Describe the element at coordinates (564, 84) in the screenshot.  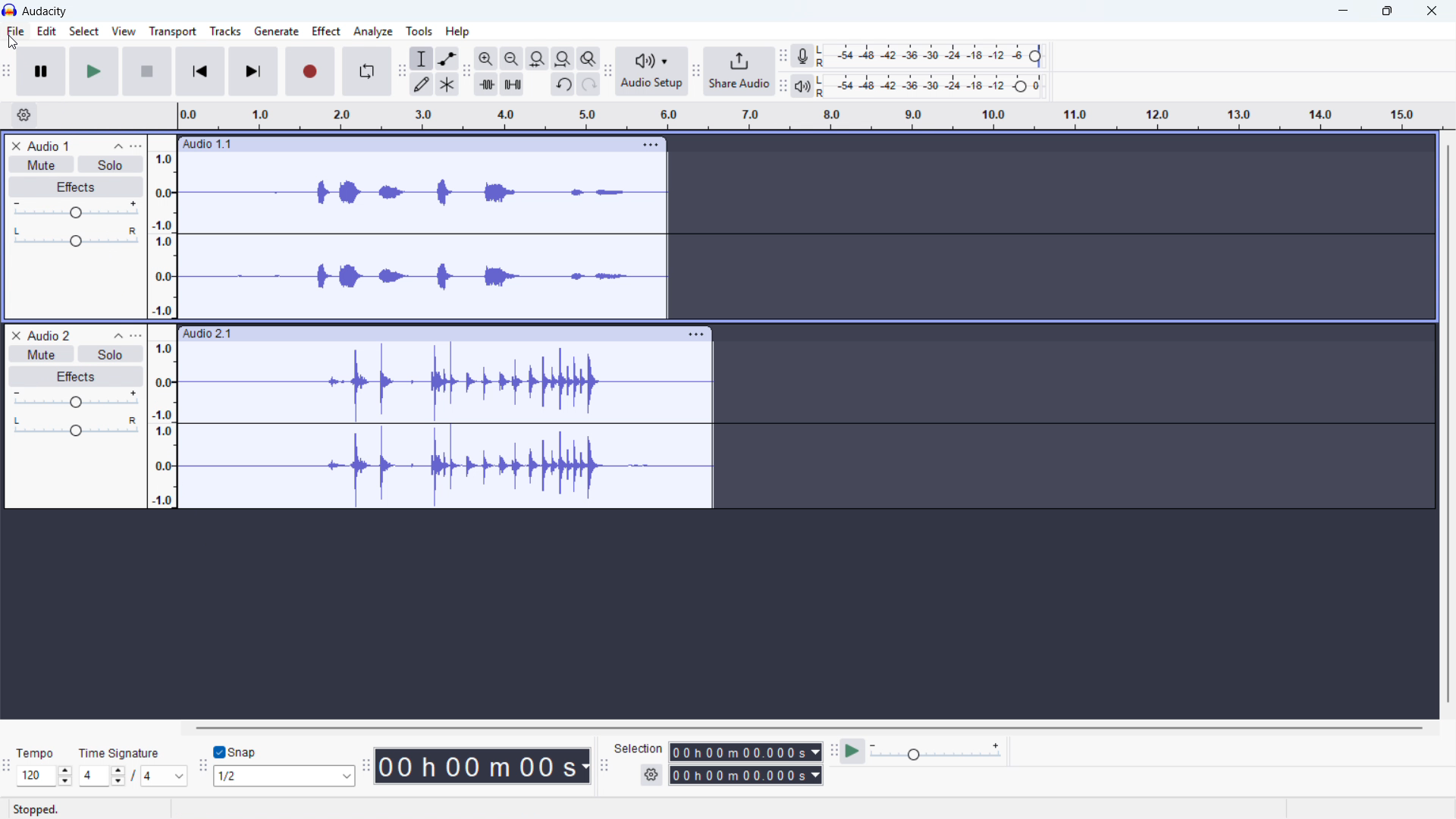
I see `Undo ` at that location.